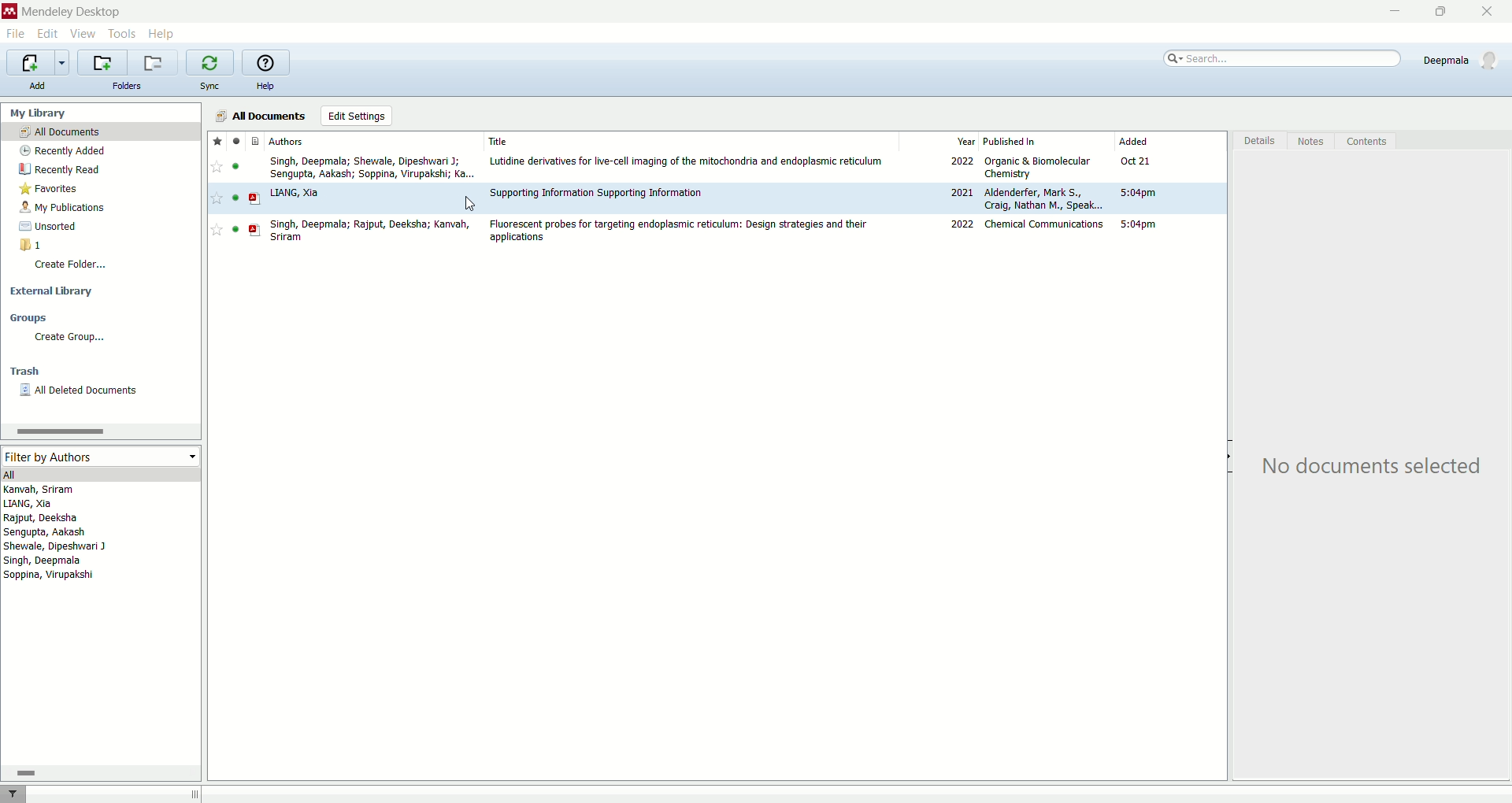 This screenshot has width=1512, height=803. Describe the element at coordinates (687, 161) in the screenshot. I see `Lutidine derivatives for live-cell imaging of the mitochondria and endoplasmic reticulum` at that location.